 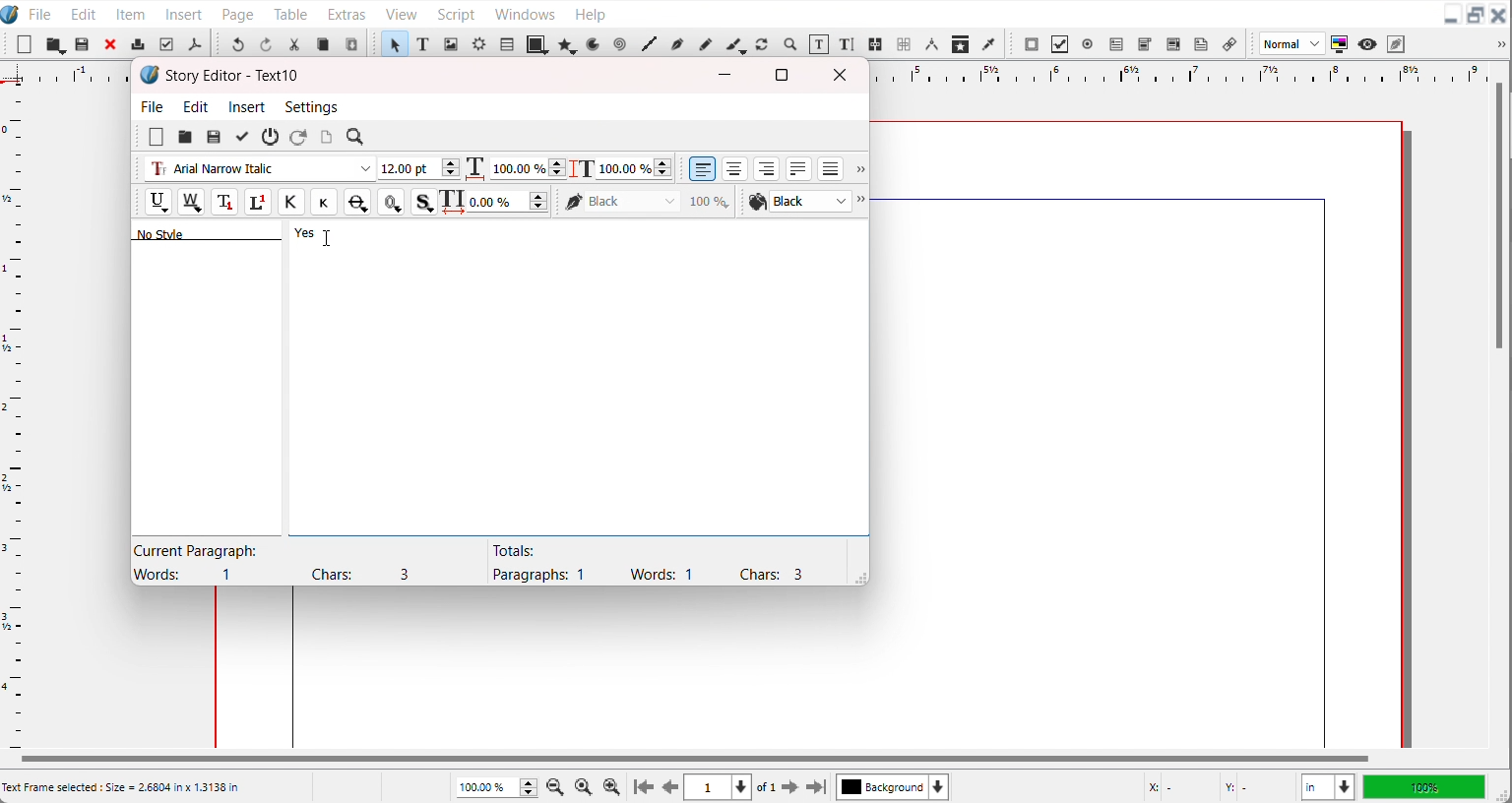 What do you see at coordinates (1059, 44) in the screenshot?
I see `PDF Check Button` at bounding box center [1059, 44].